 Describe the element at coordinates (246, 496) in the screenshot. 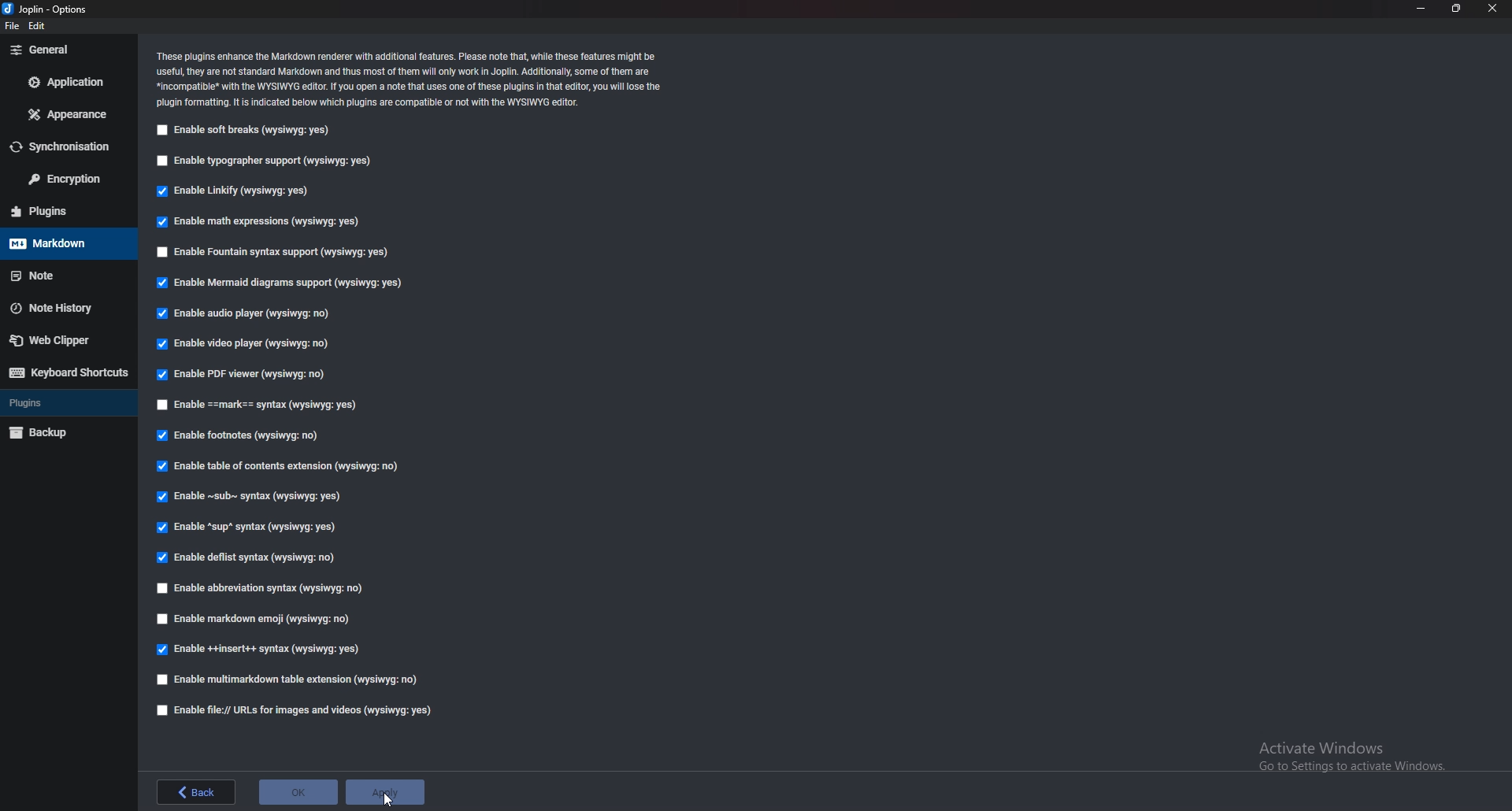

I see `enable sub syntax` at that location.